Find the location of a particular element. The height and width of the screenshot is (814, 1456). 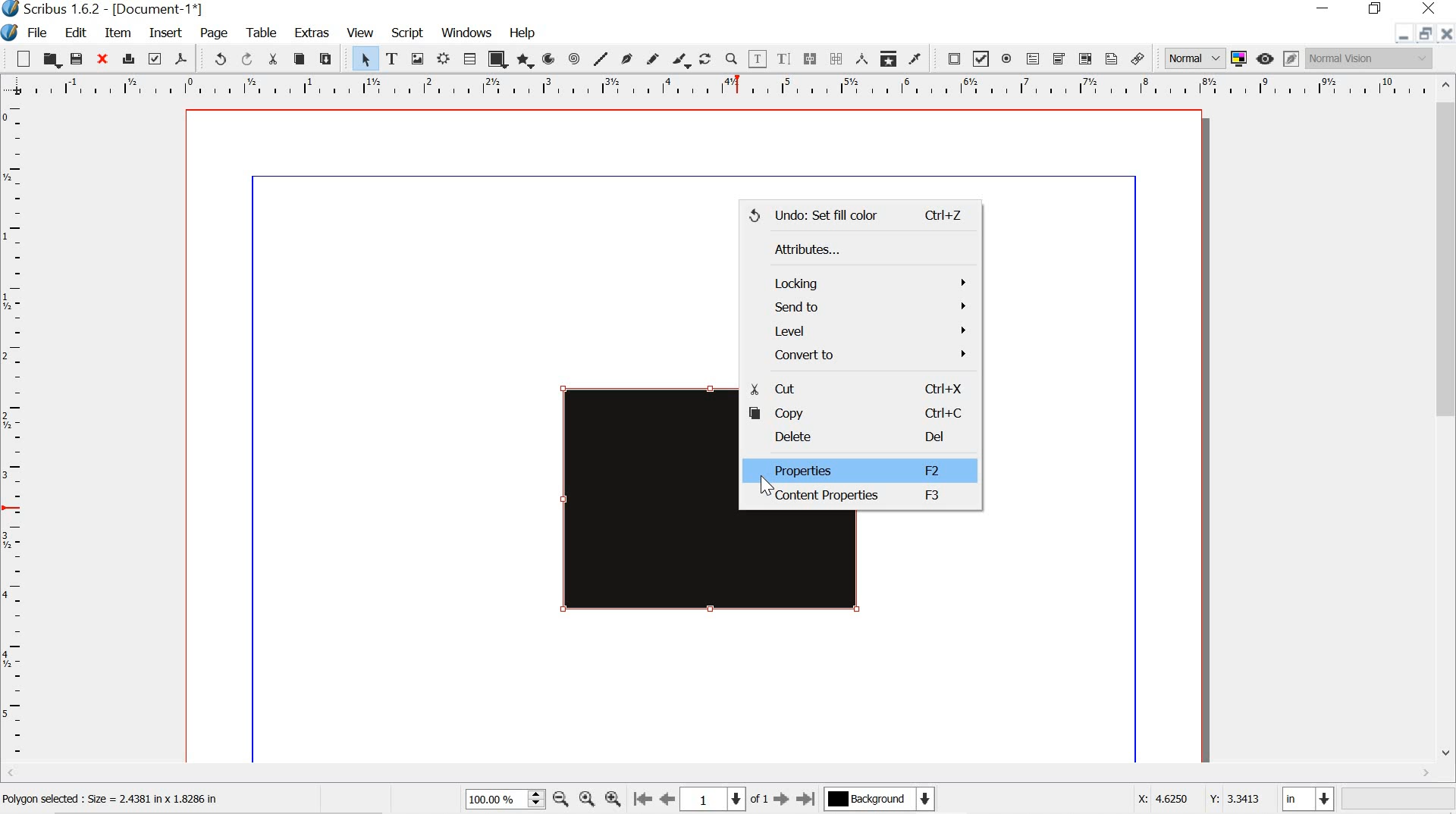

polygon is located at coordinates (525, 62).